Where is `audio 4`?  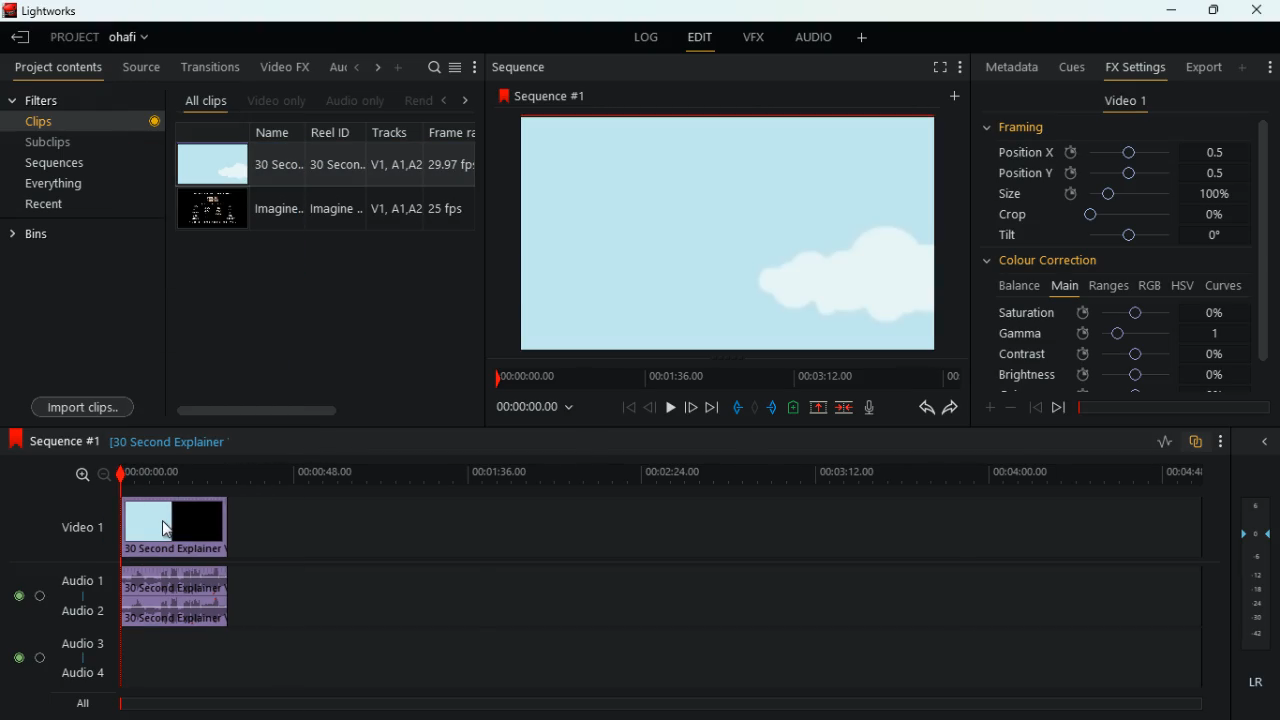
audio 4 is located at coordinates (82, 672).